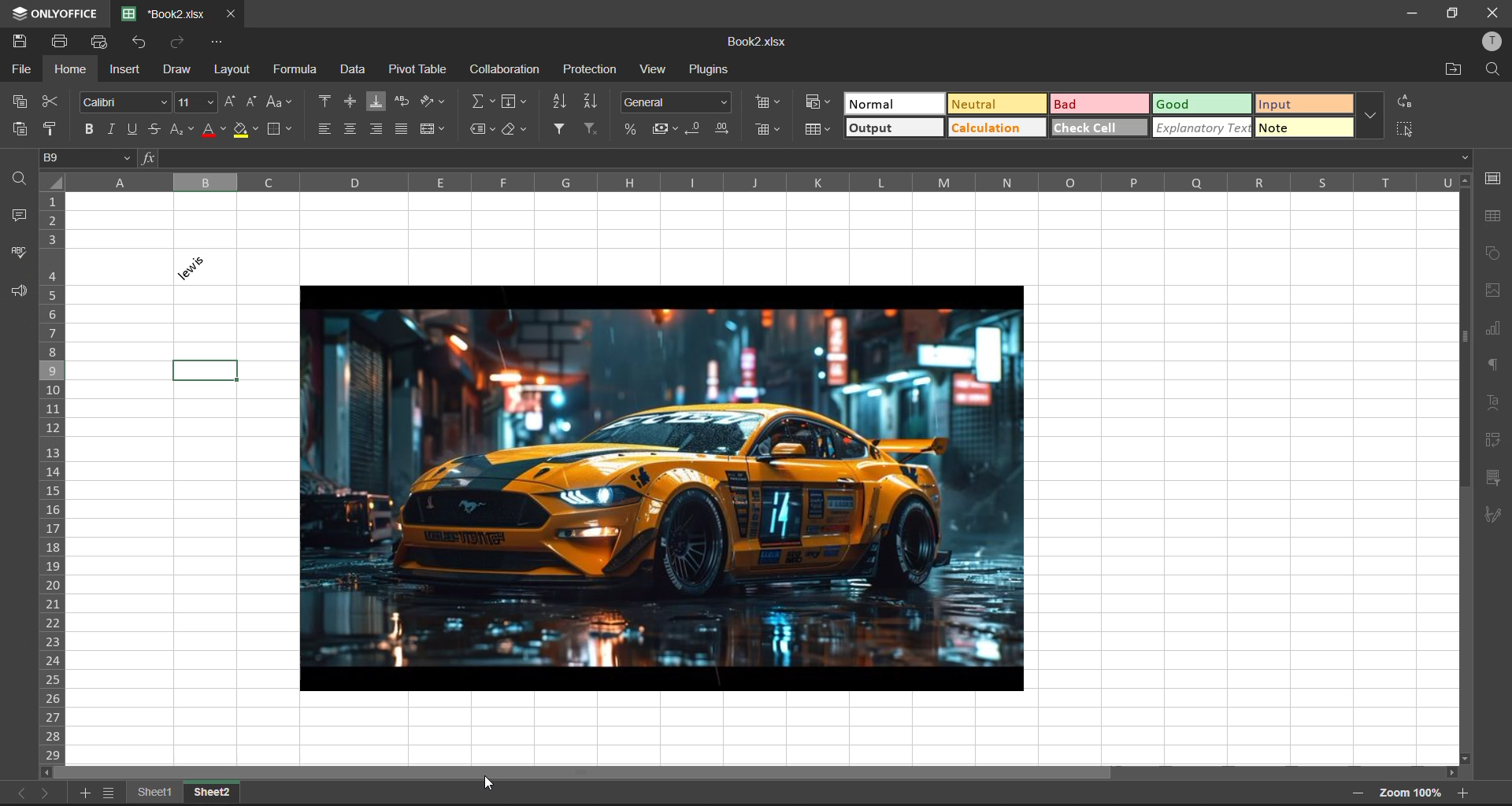 The image size is (1512, 806). Describe the element at coordinates (1493, 400) in the screenshot. I see `text` at that location.